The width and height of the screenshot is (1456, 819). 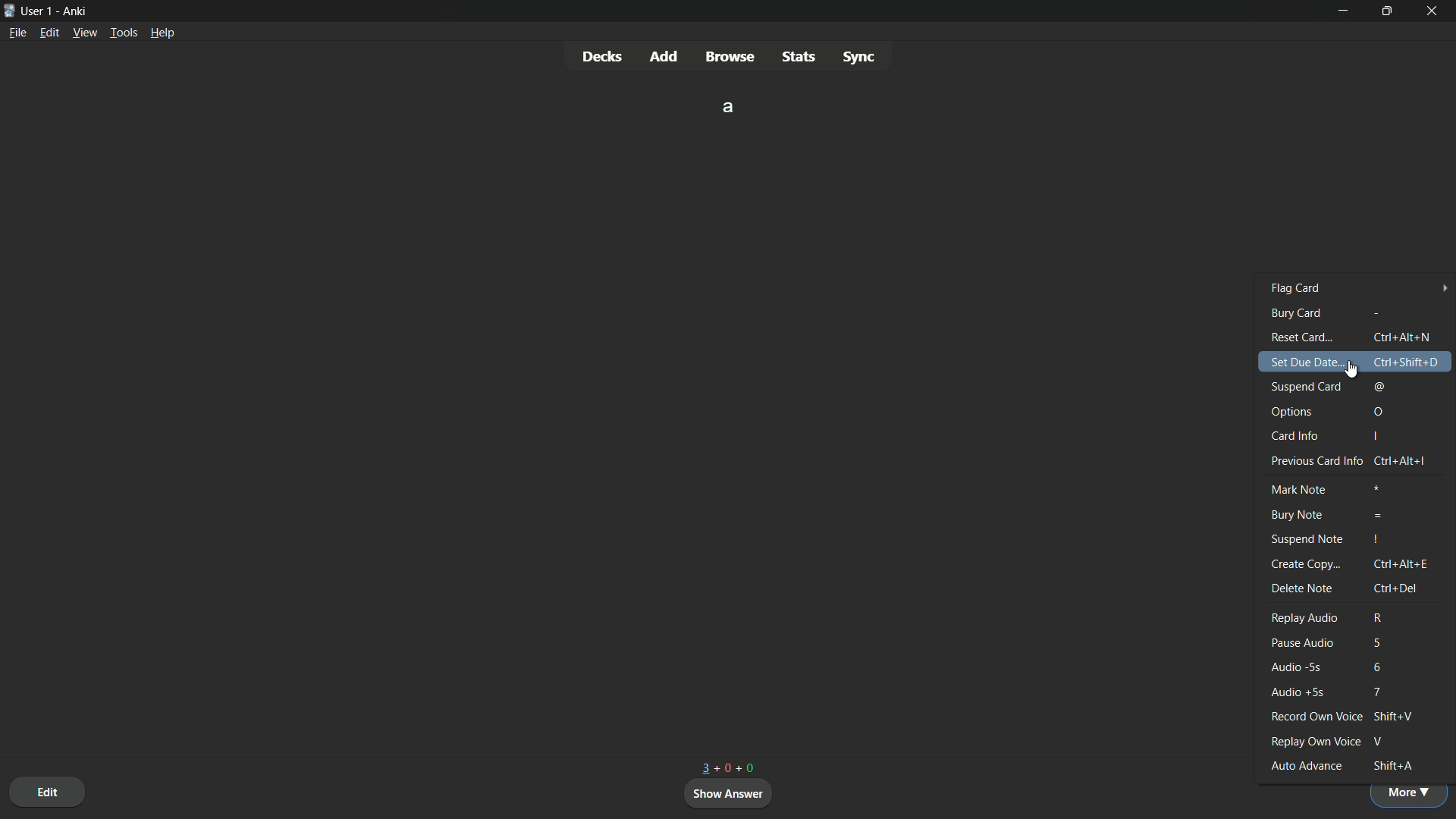 What do you see at coordinates (85, 33) in the screenshot?
I see `view menu` at bounding box center [85, 33].